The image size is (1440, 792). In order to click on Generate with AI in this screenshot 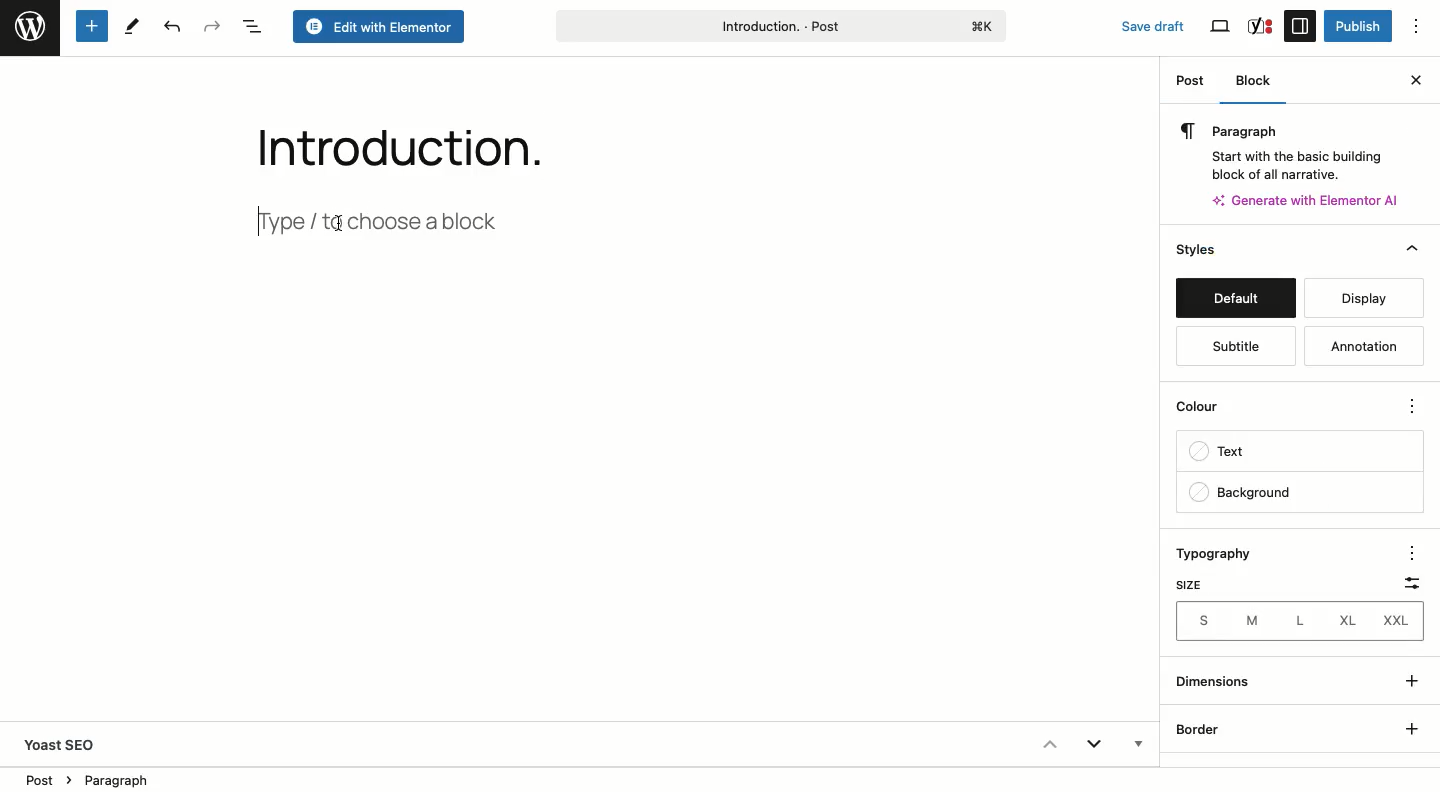, I will do `click(1314, 199)`.